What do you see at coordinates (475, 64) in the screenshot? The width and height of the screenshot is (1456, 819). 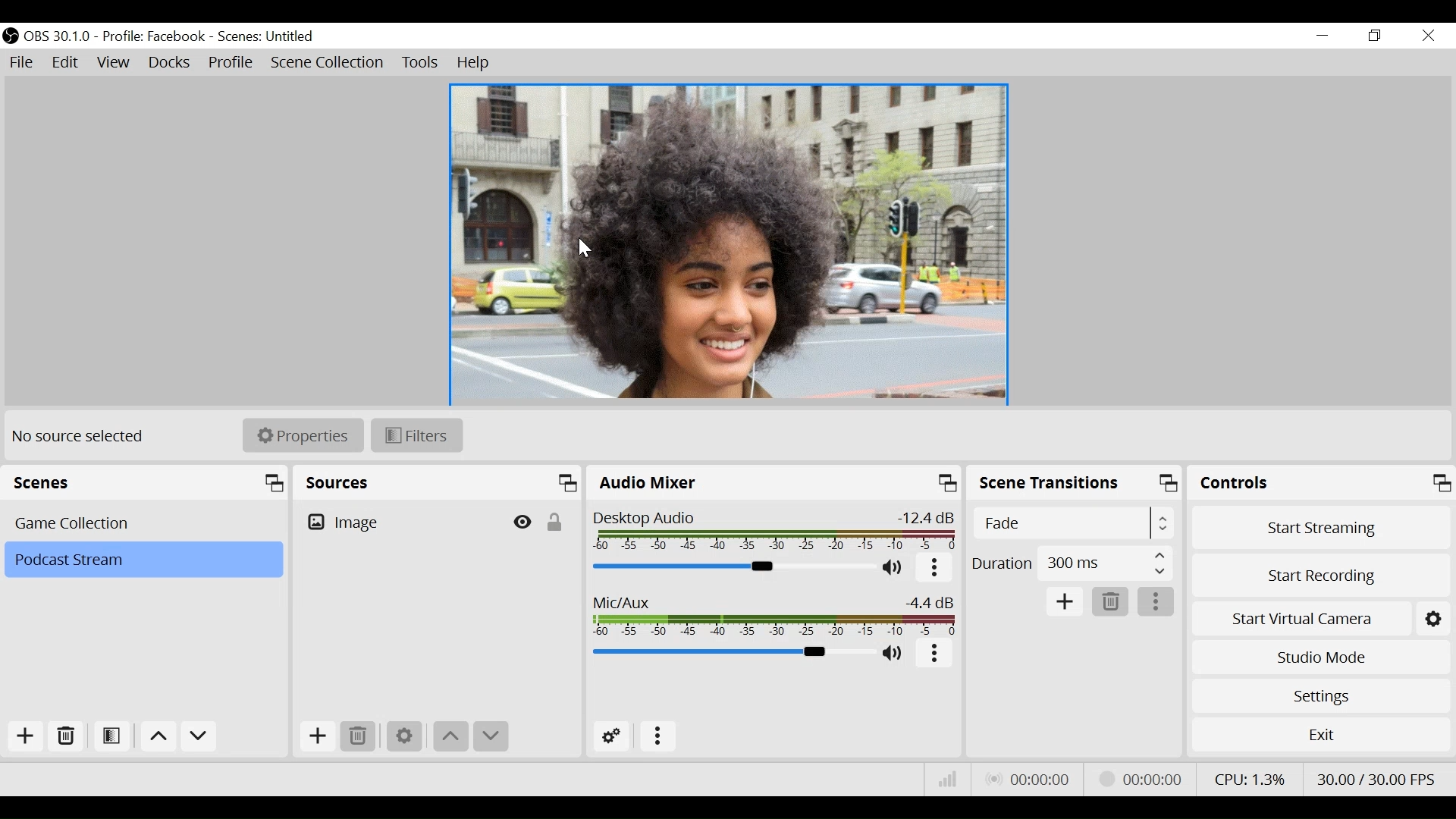 I see `Help` at bounding box center [475, 64].